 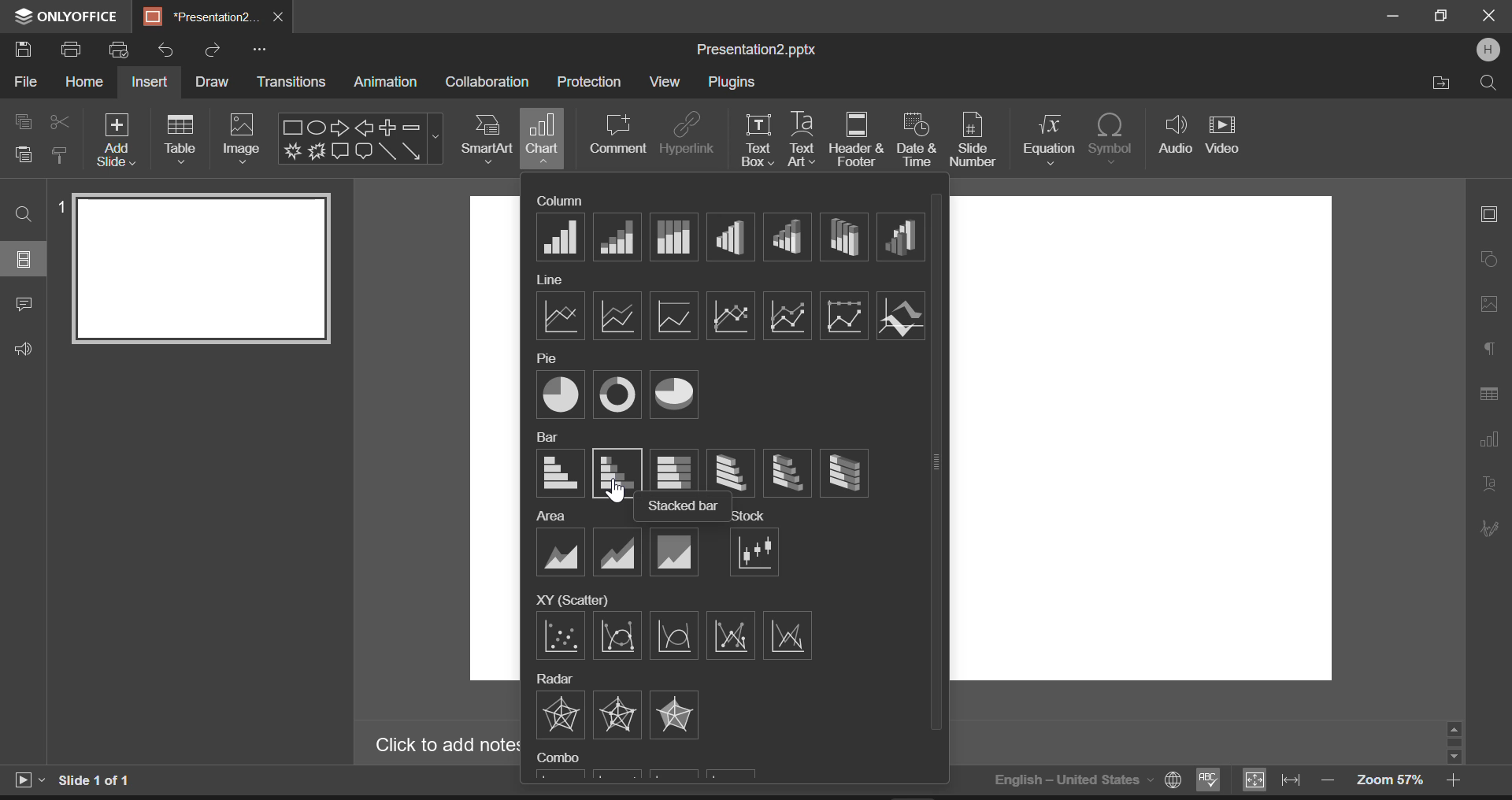 What do you see at coordinates (365, 151) in the screenshot?
I see `Rounded Rectangle Callout` at bounding box center [365, 151].